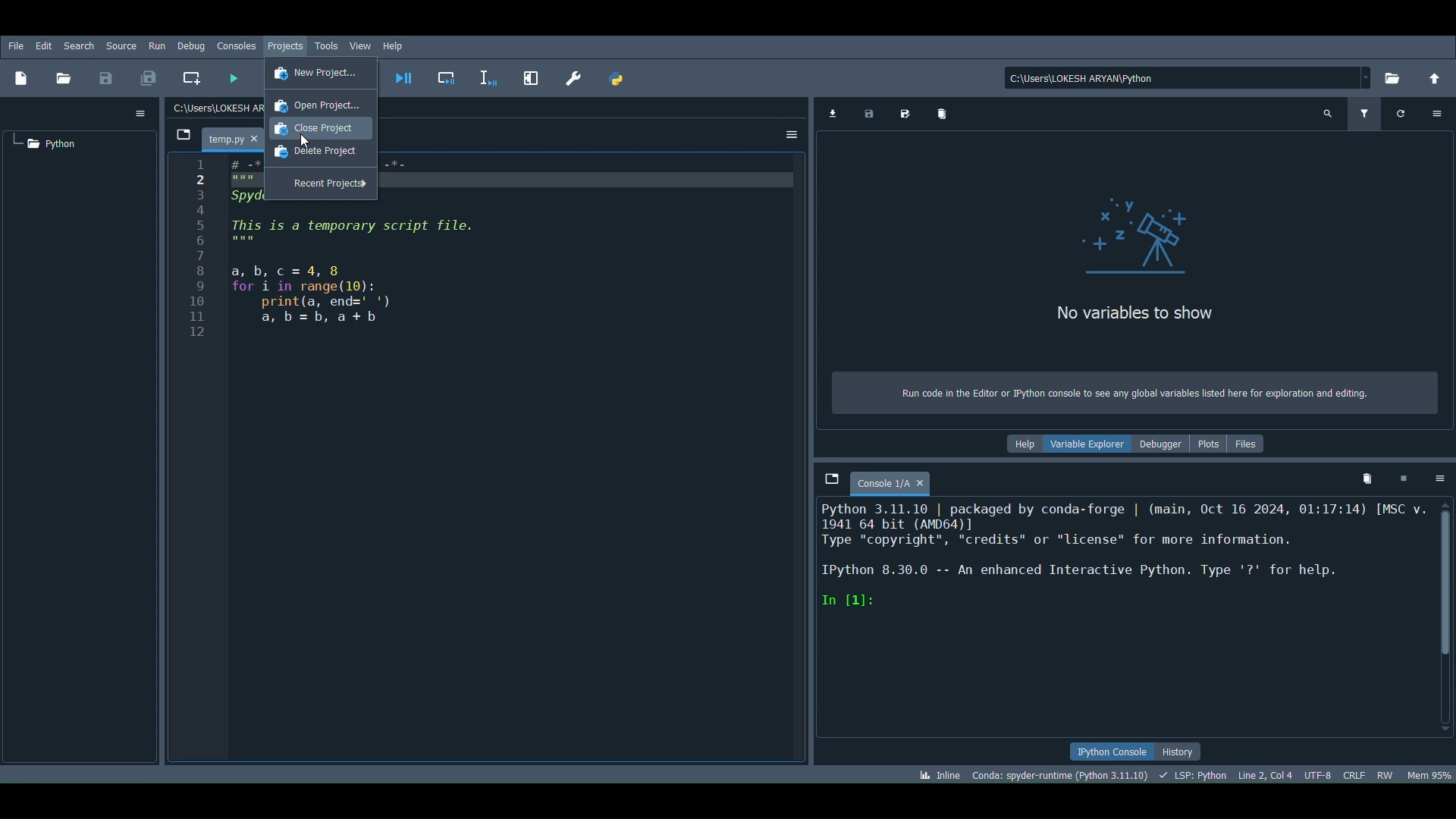  Describe the element at coordinates (869, 114) in the screenshot. I see `Save data` at that location.